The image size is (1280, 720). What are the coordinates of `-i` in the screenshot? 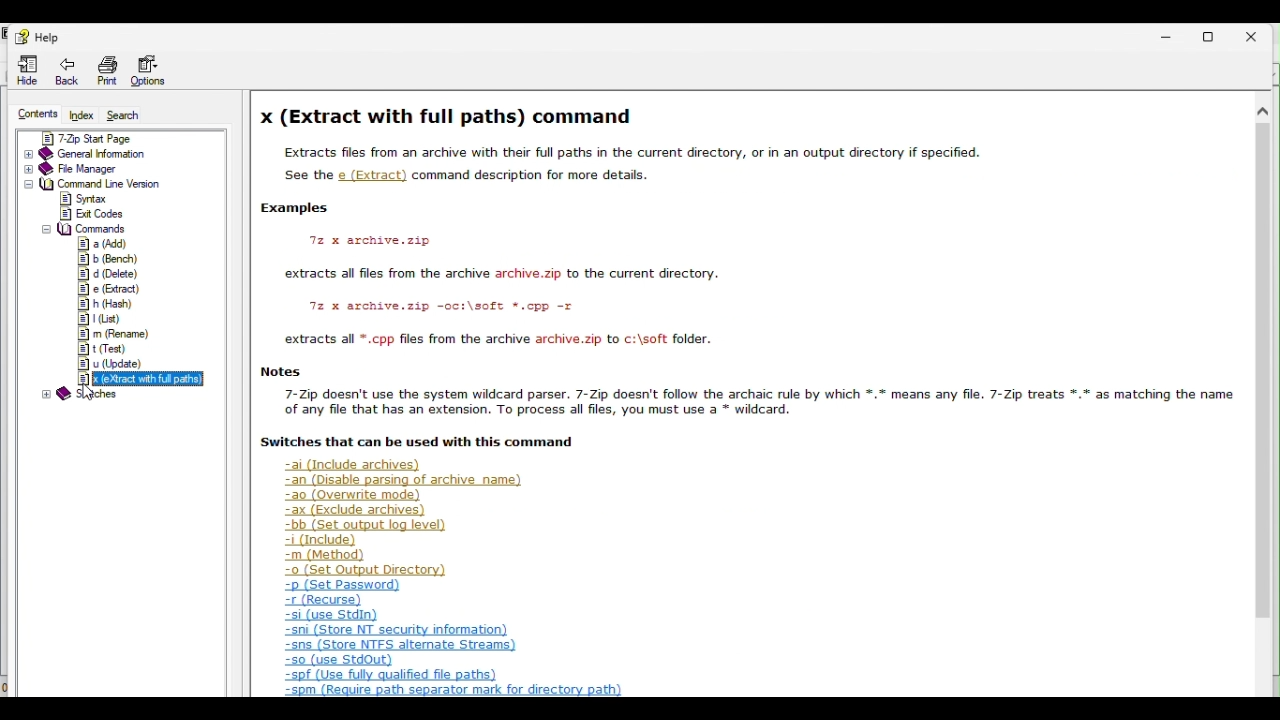 It's located at (320, 540).